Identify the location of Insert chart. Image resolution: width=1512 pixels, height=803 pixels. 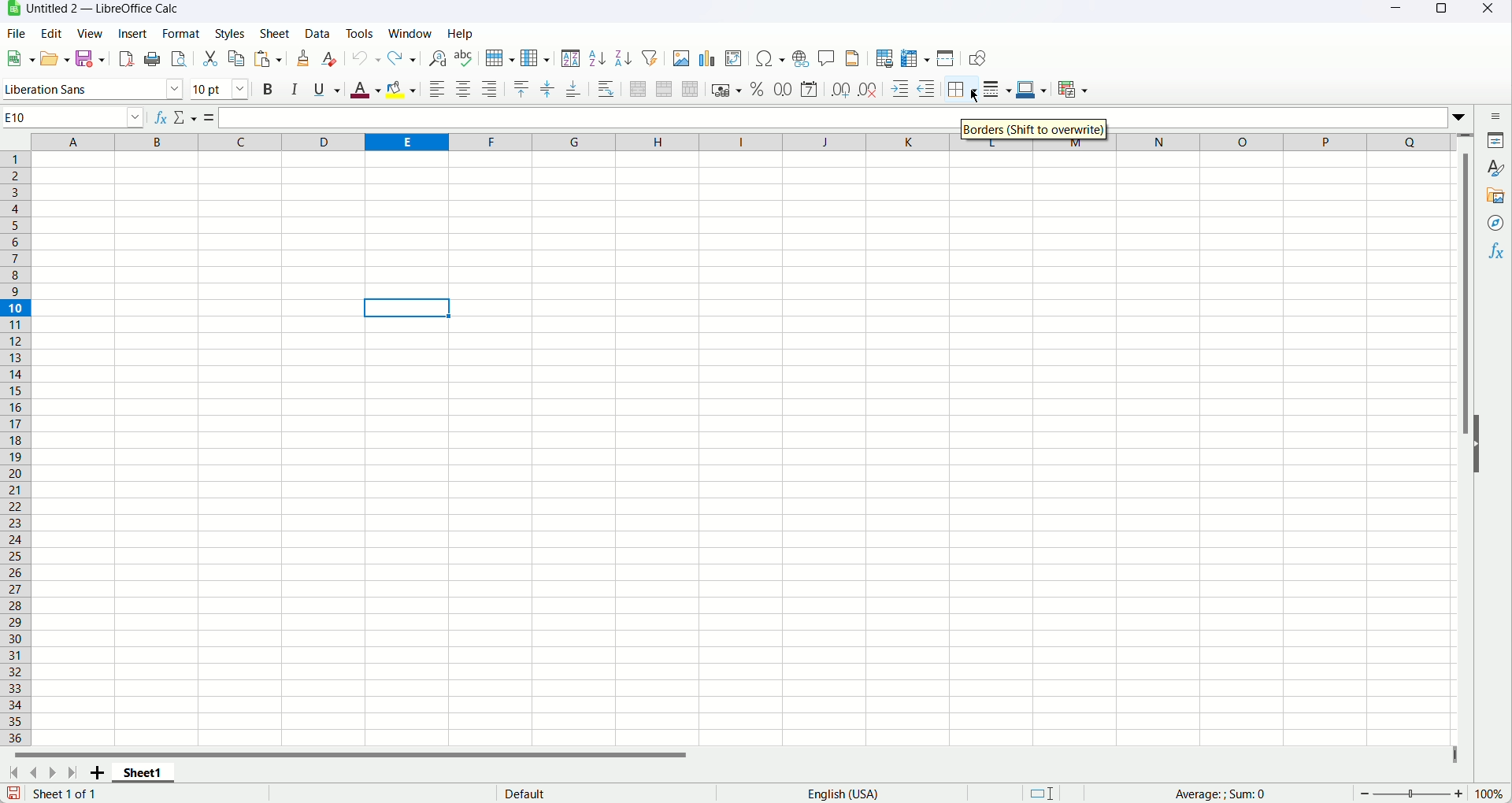
(707, 58).